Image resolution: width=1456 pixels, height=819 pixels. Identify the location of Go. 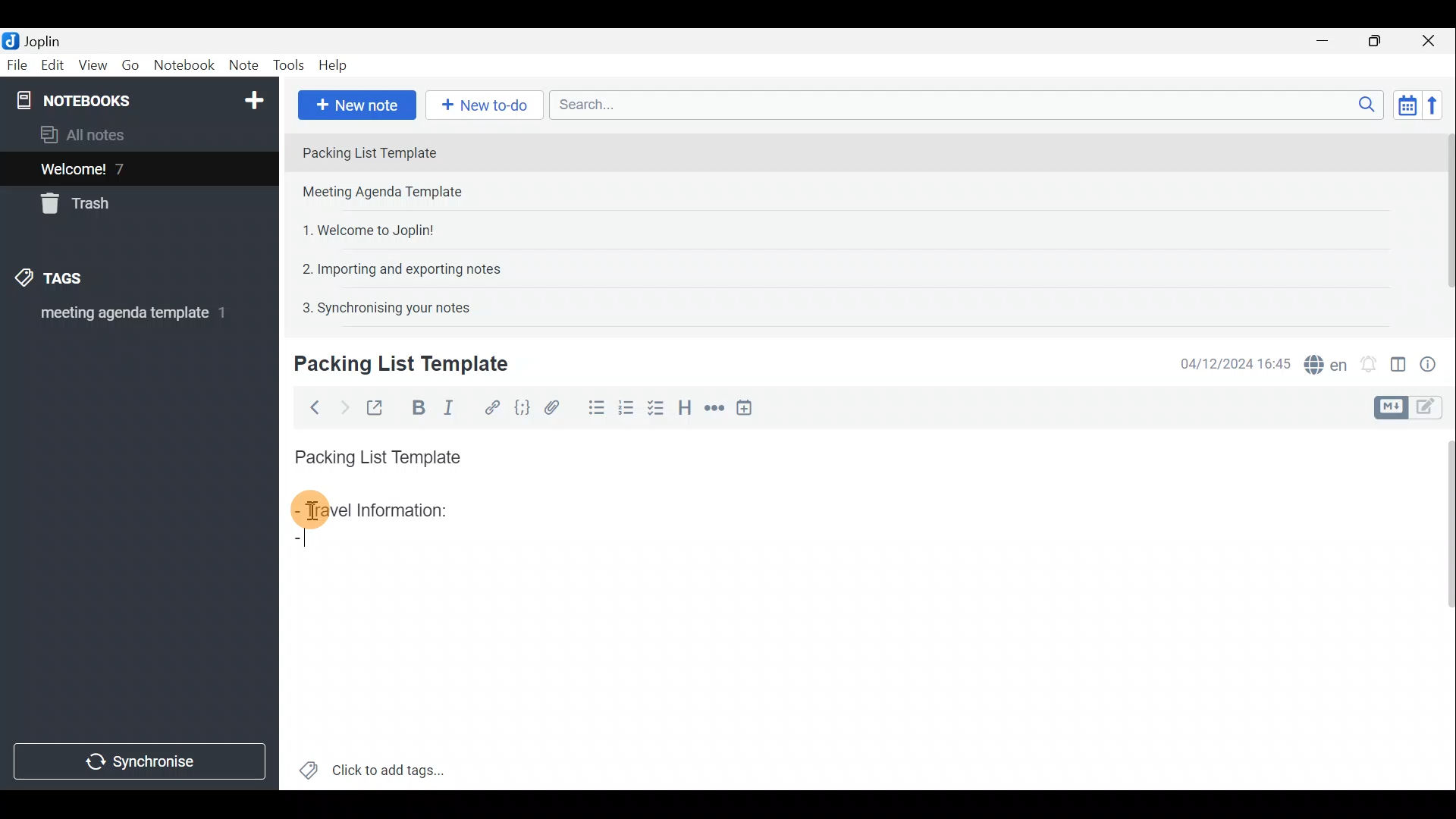
(131, 65).